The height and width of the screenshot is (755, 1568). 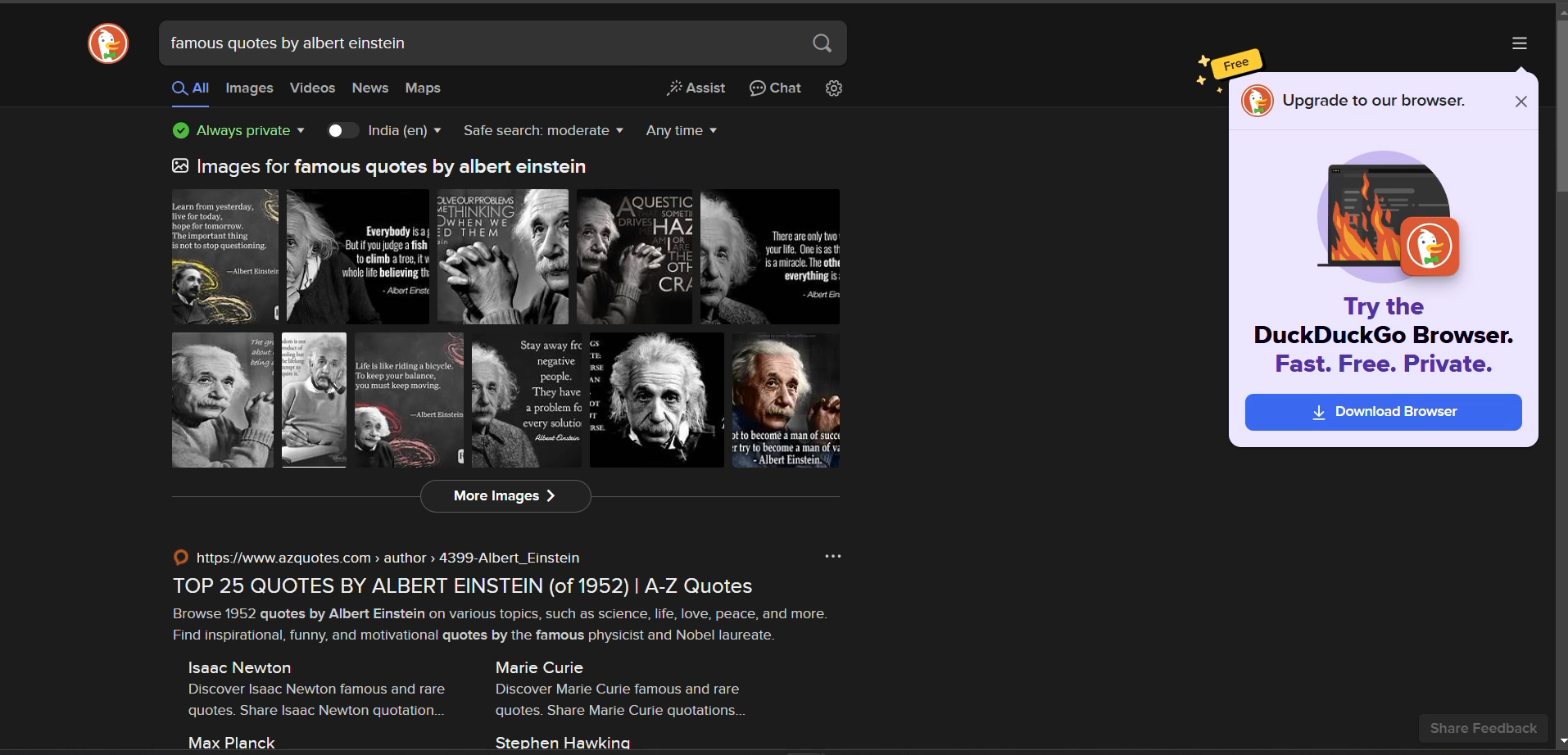 I want to click on © https://www.azquotes.com > author > 4399-Albert_Einstein ono
TOP 25 QUOTES BY ALBERT EINSTEIN (of 1952) | A-Z Quotes
Browse 1952 quotes by Albert Einstein on various topics, such as science, life, love, peace, and more.
Find inspirational, funny, and motivational quotes by the famous physicist and Nobel laureate.

Isaac Newton Marie Curie

Discover Isaac Newton famous and rare Discover Marie Curie famous and rare

quotes. Share Isaac Newton quotation. quotes. Share Marie Curie quotations.

Max Planck Stephen Hawking, so click(x=511, y=642).